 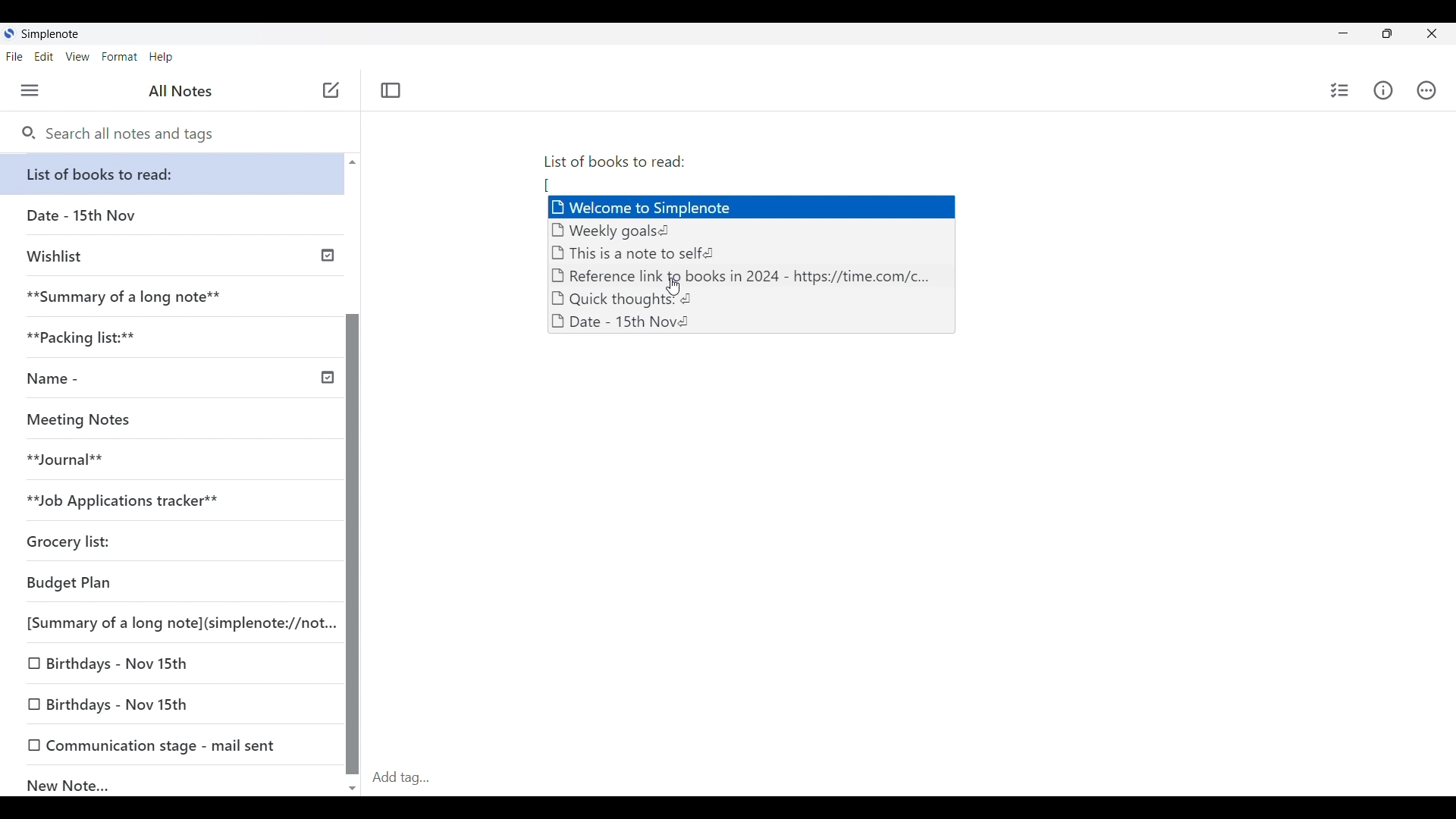 What do you see at coordinates (167, 544) in the screenshot?
I see `Grocery list:` at bounding box center [167, 544].